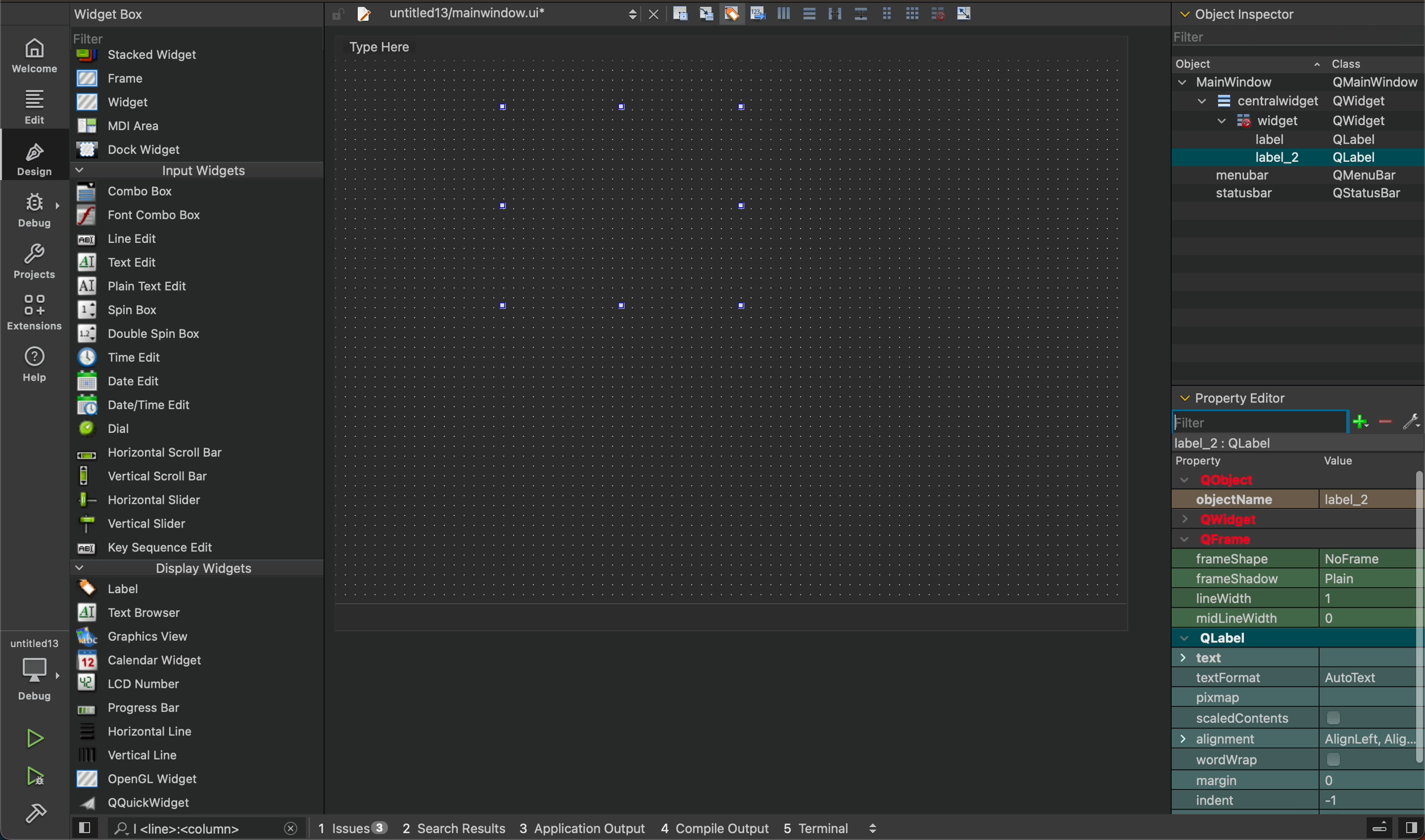  What do you see at coordinates (36, 55) in the screenshot?
I see `welcome` at bounding box center [36, 55].